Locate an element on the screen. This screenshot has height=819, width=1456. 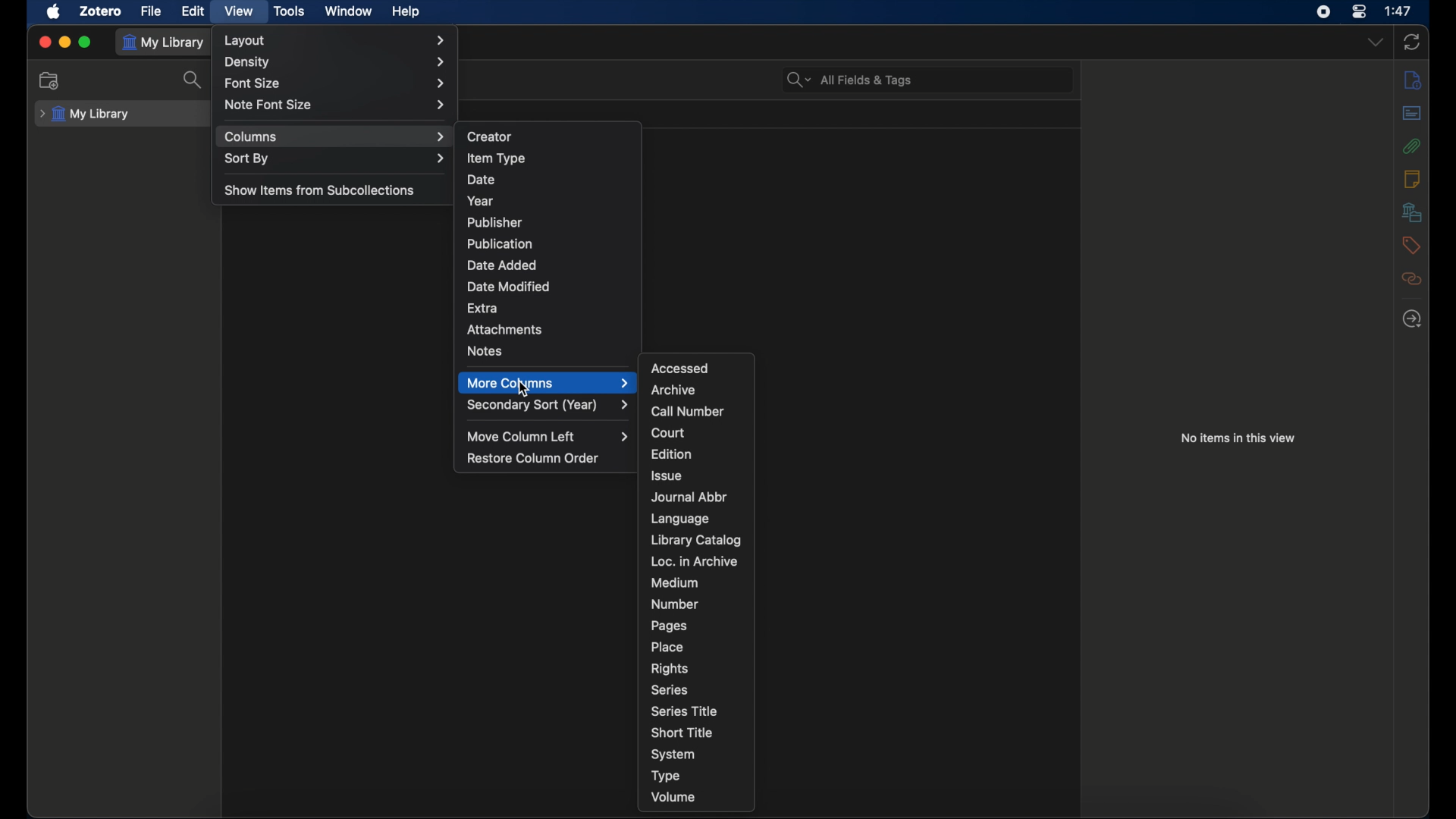
publisher is located at coordinates (493, 222).